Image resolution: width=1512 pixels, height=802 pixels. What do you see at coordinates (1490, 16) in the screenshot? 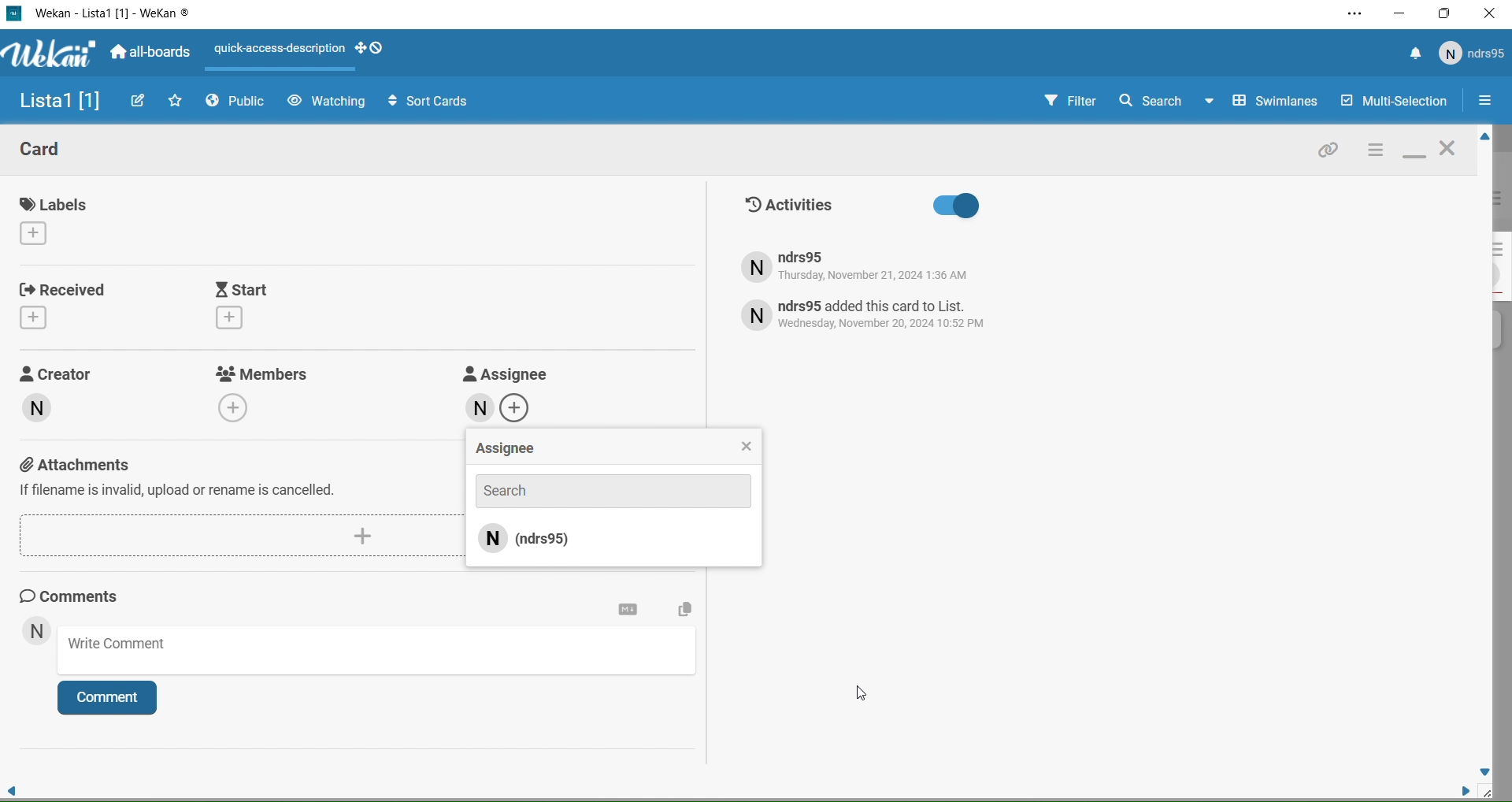
I see `Close` at bounding box center [1490, 16].